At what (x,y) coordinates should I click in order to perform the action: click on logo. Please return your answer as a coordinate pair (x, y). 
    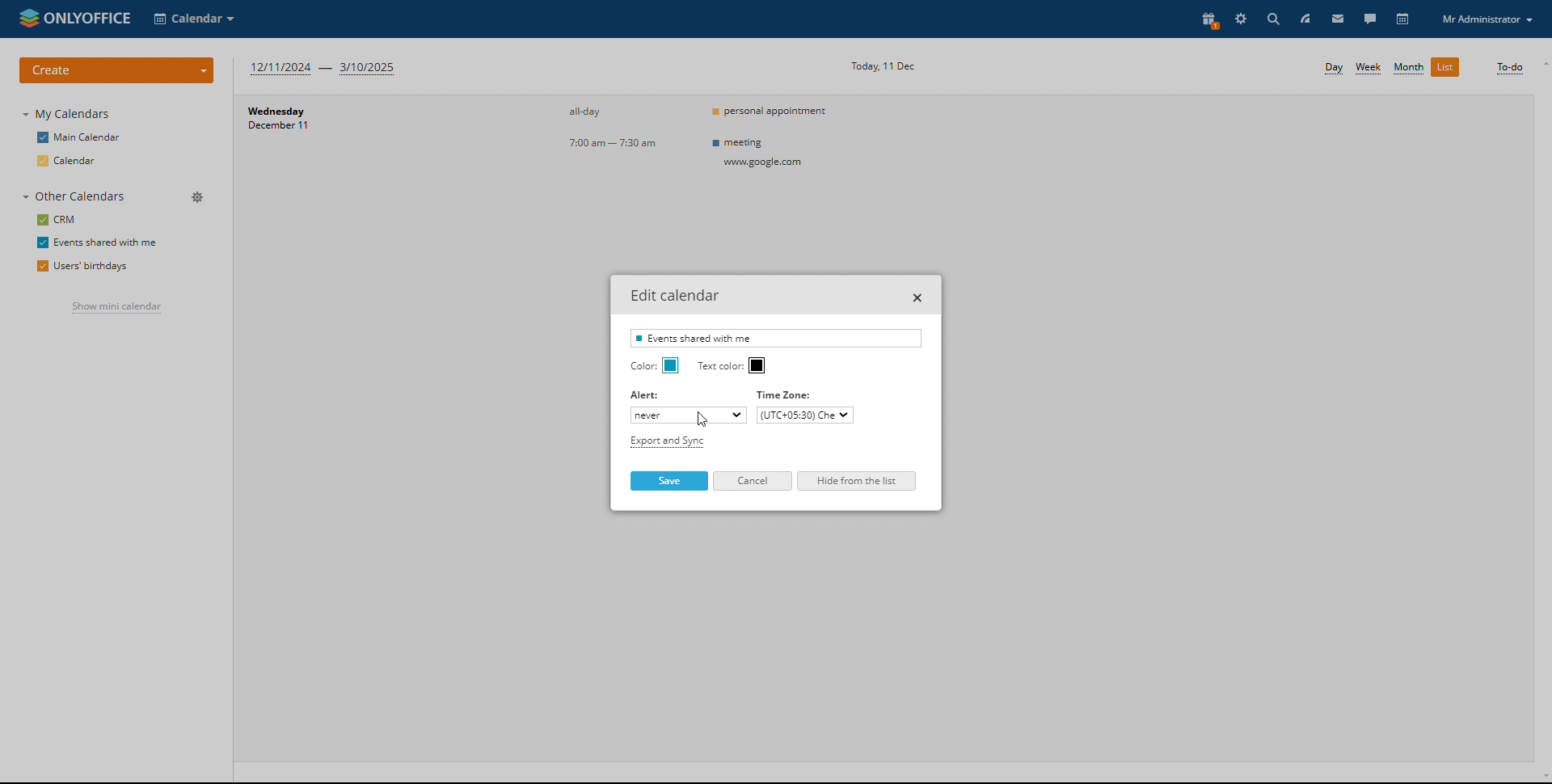
    Looking at the image, I should click on (72, 19).